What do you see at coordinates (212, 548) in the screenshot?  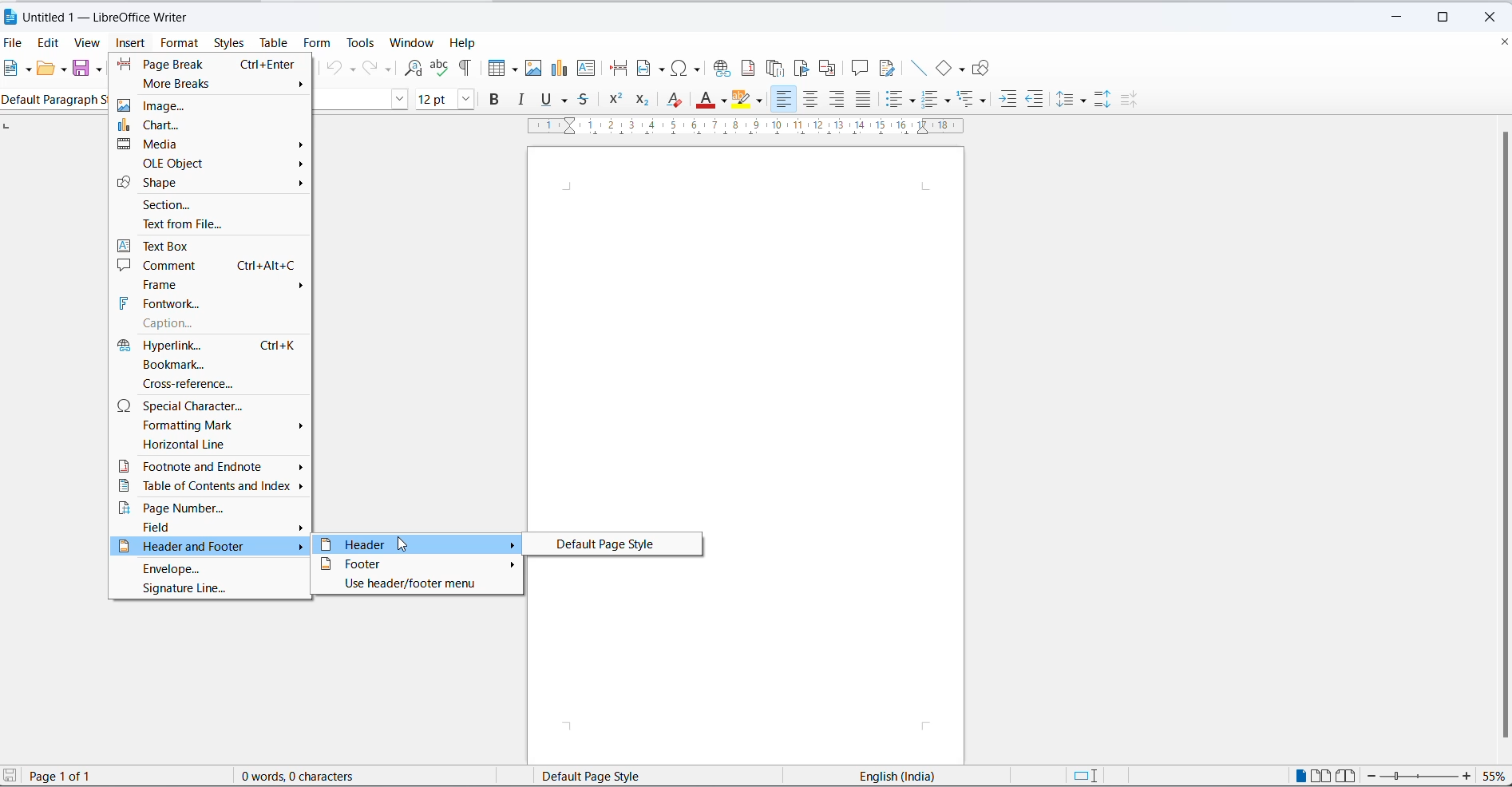 I see `header and footer` at bounding box center [212, 548].